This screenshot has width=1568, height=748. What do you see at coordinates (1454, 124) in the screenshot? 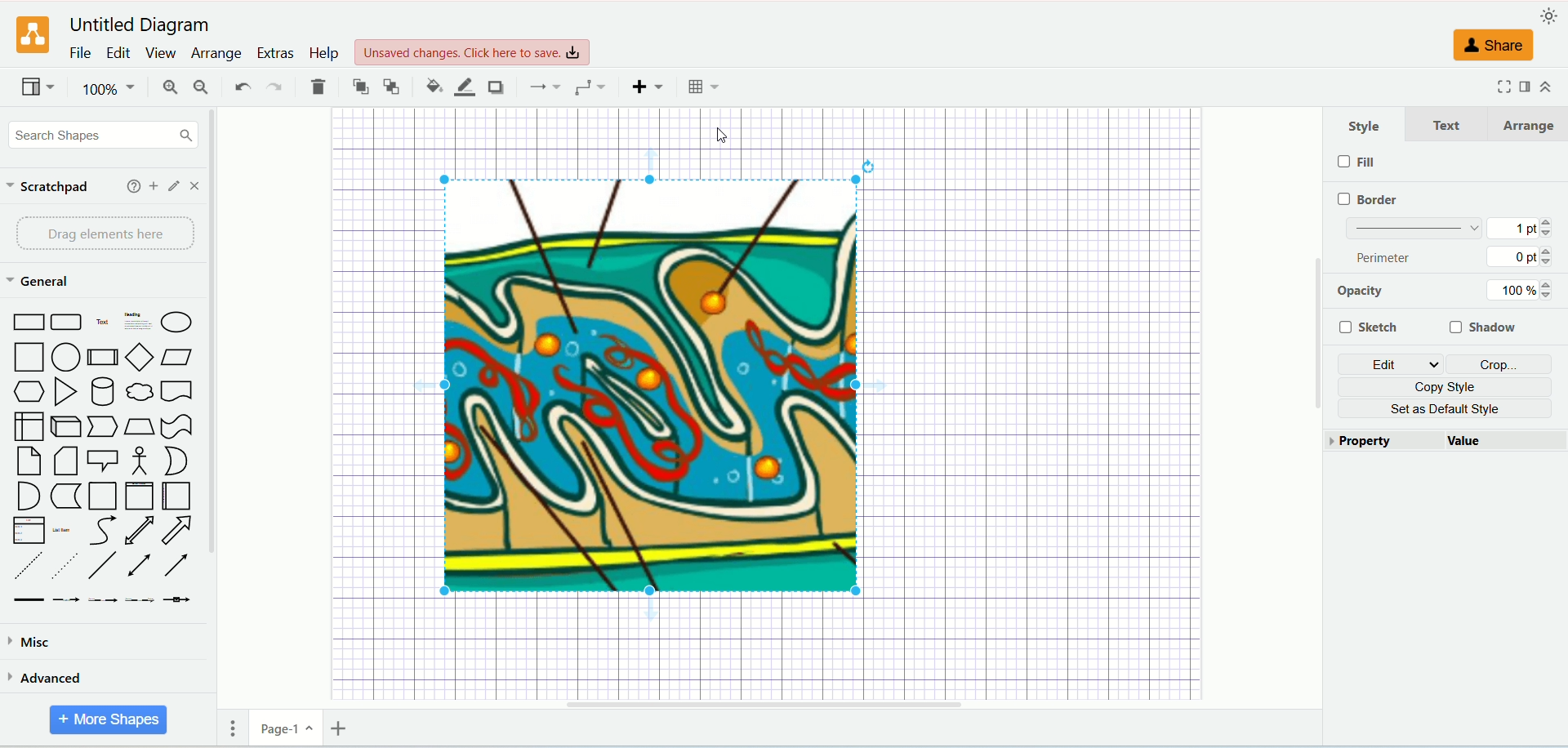
I see `text` at bounding box center [1454, 124].